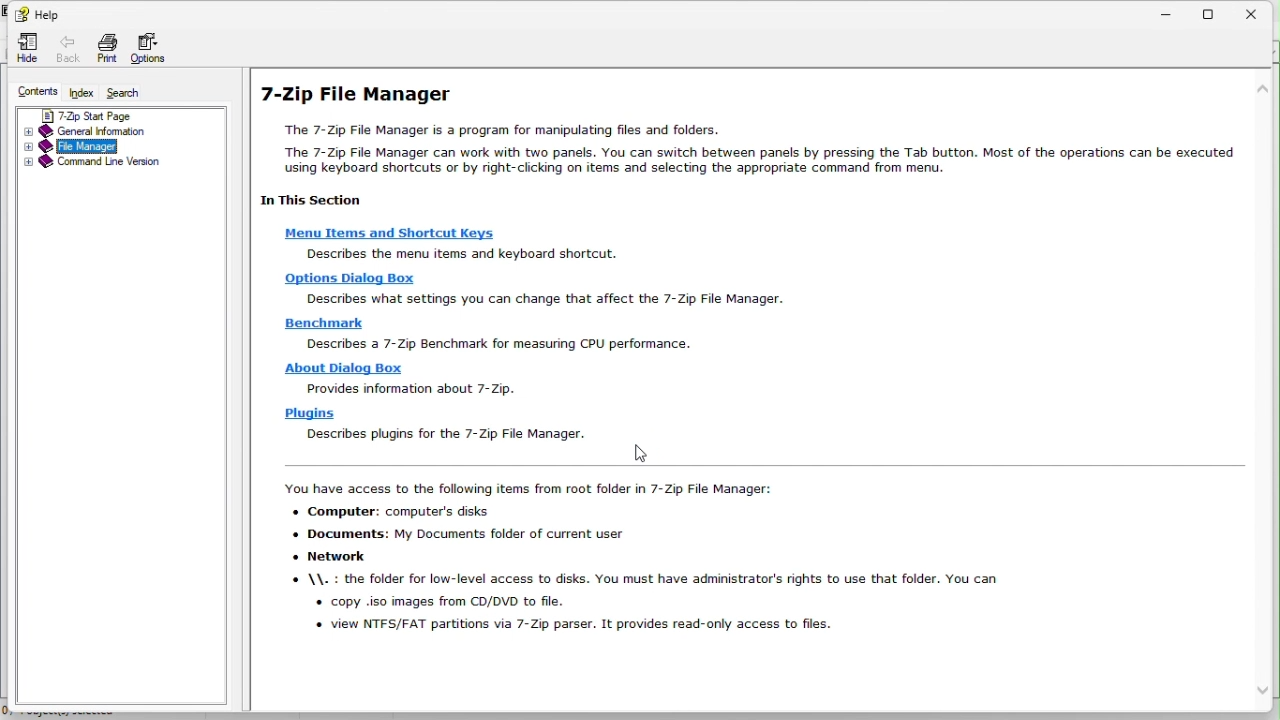 The height and width of the screenshot is (720, 1280). Describe the element at coordinates (1166, 13) in the screenshot. I see `Minimize` at that location.